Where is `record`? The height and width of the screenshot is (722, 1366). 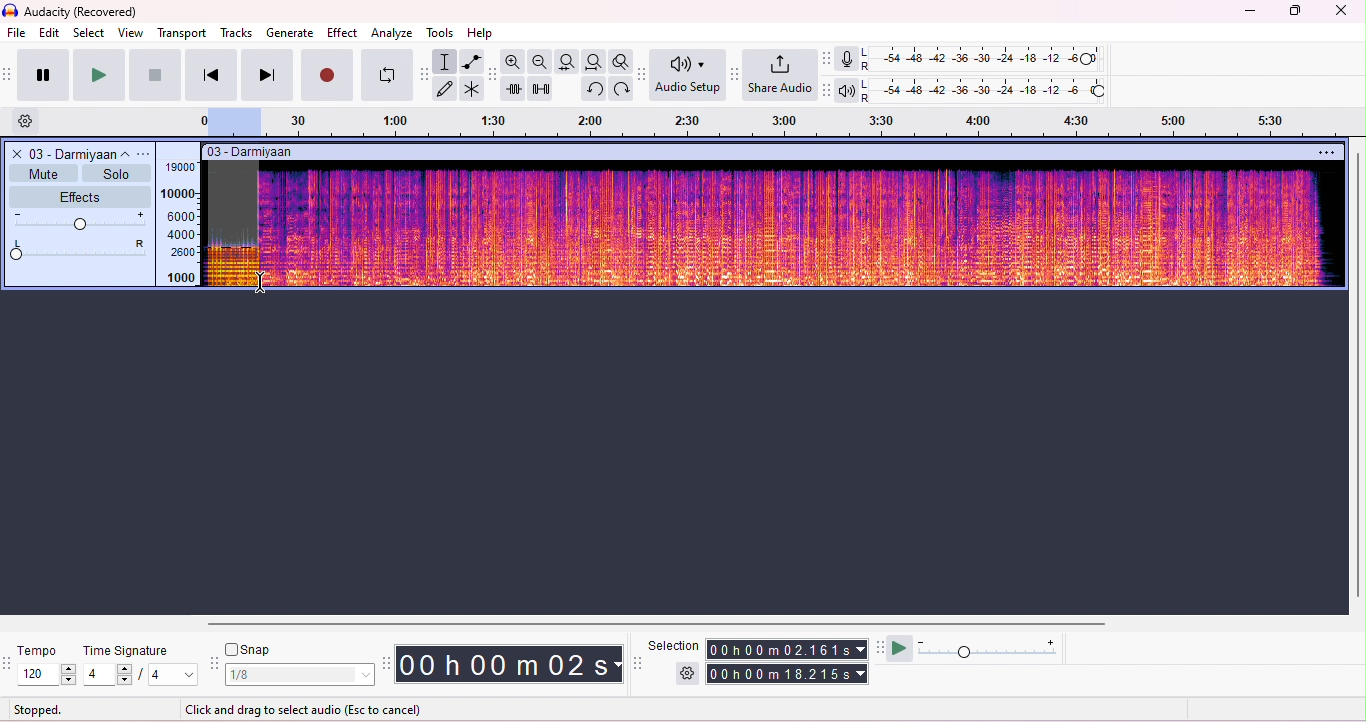 record is located at coordinates (326, 73).